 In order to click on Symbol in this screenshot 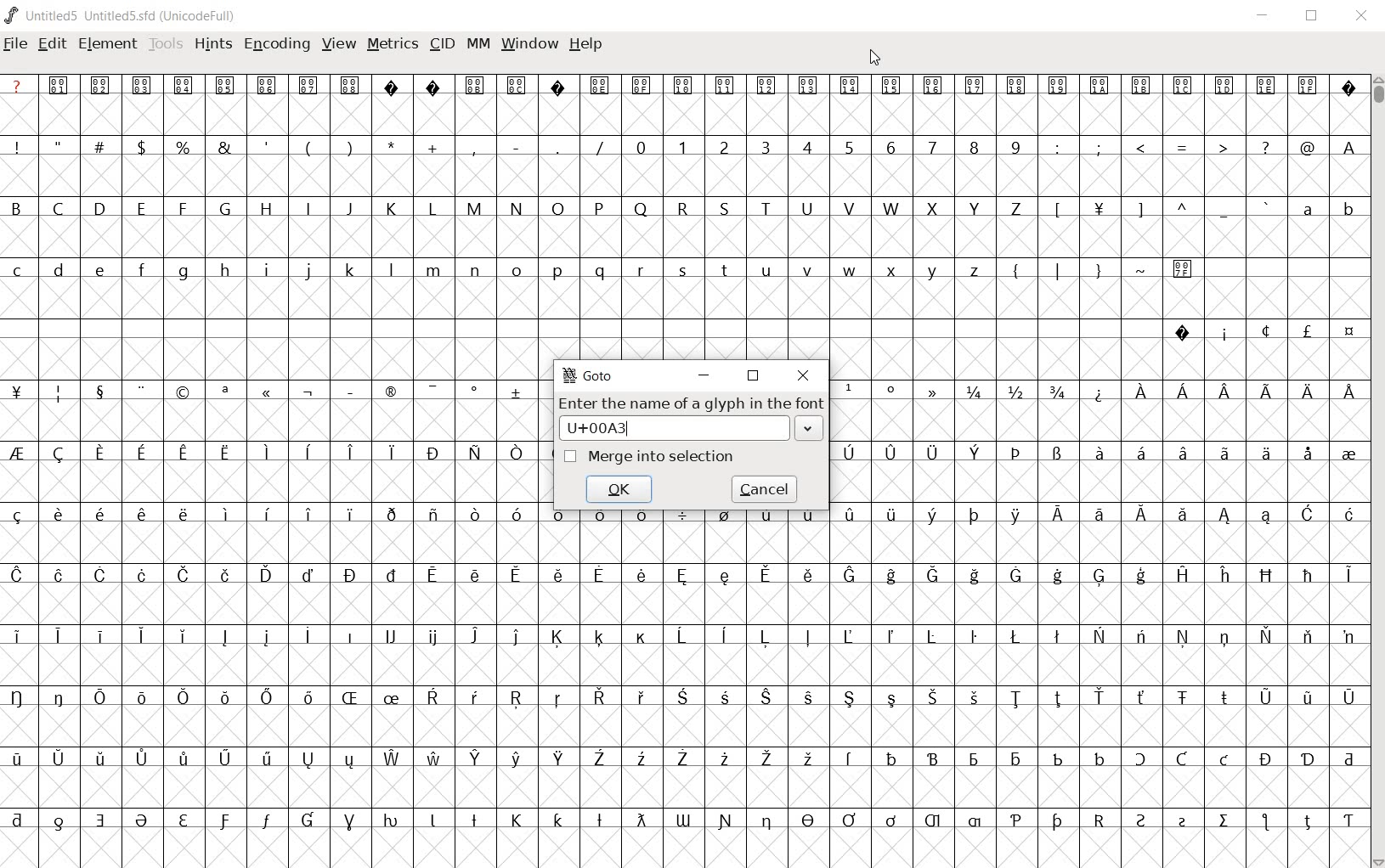, I will do `click(102, 86)`.